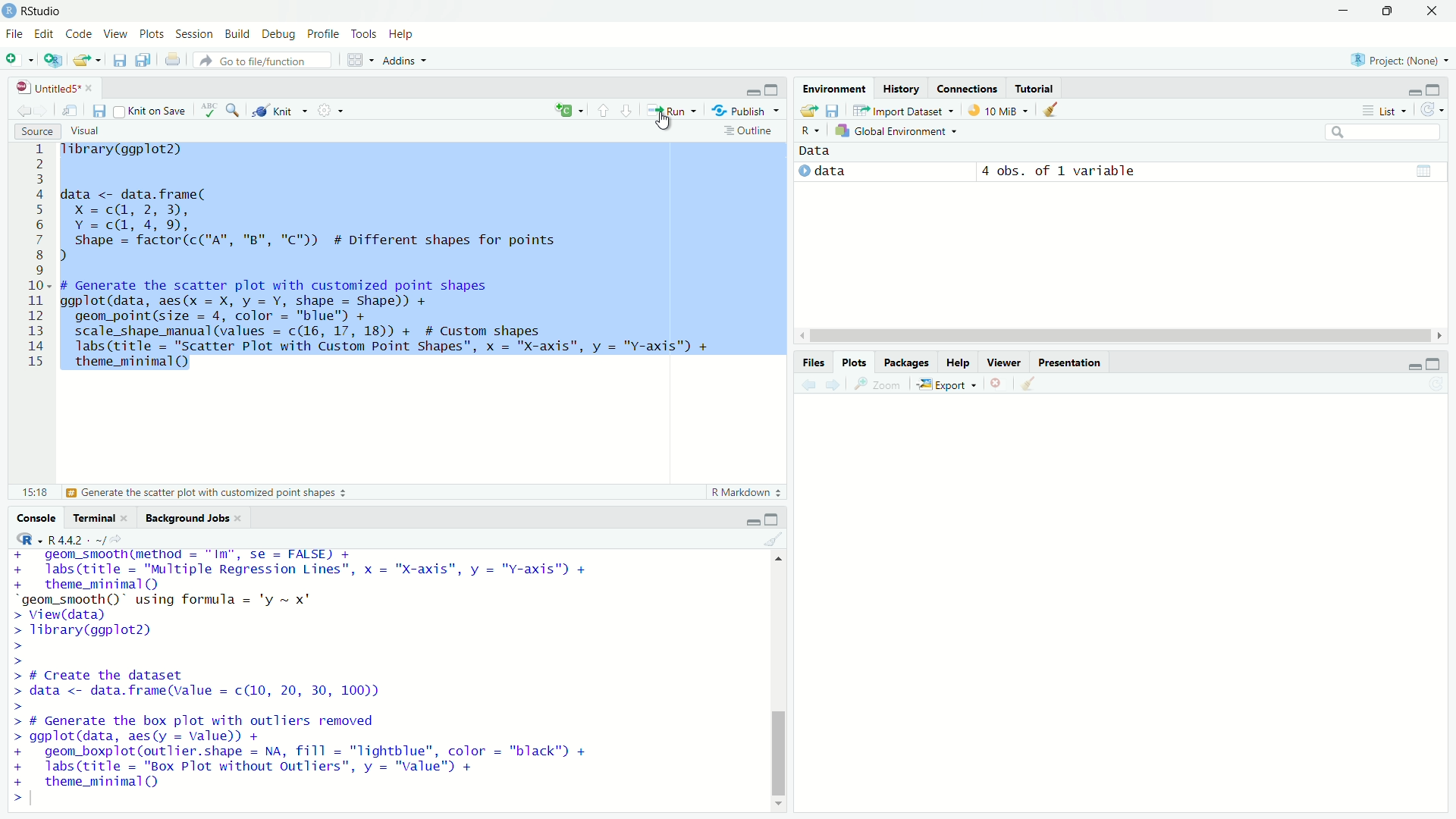 The image size is (1456, 819). I want to click on 4 obs. of 1 variable, so click(1058, 171).